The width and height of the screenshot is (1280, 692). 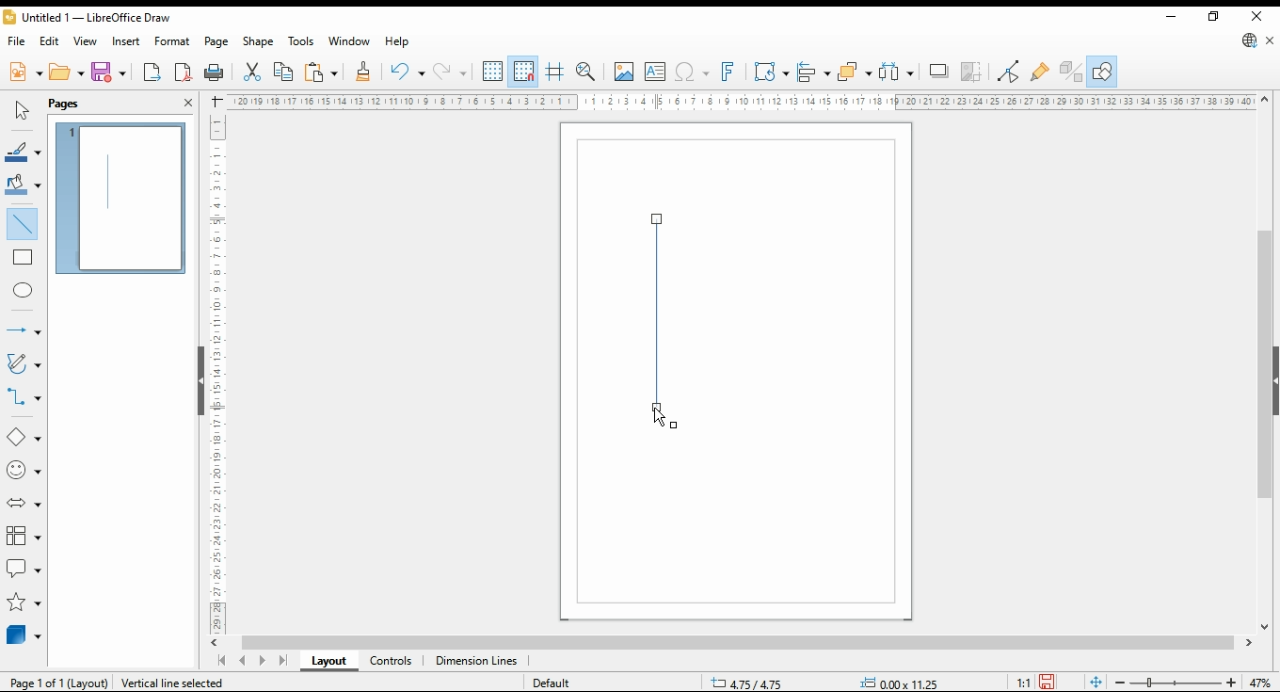 I want to click on shape, so click(x=259, y=43).